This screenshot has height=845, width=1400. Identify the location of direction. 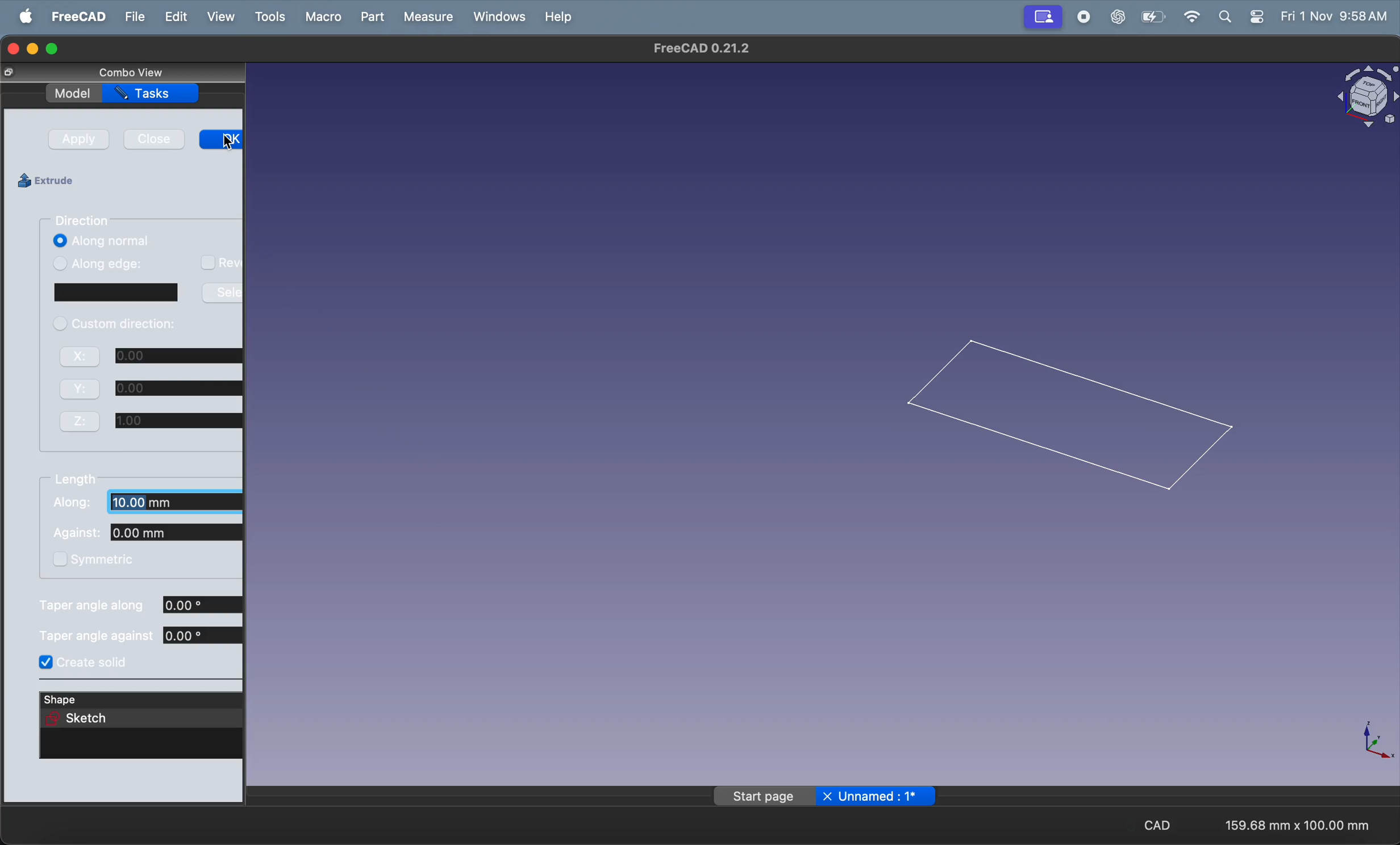
(93, 219).